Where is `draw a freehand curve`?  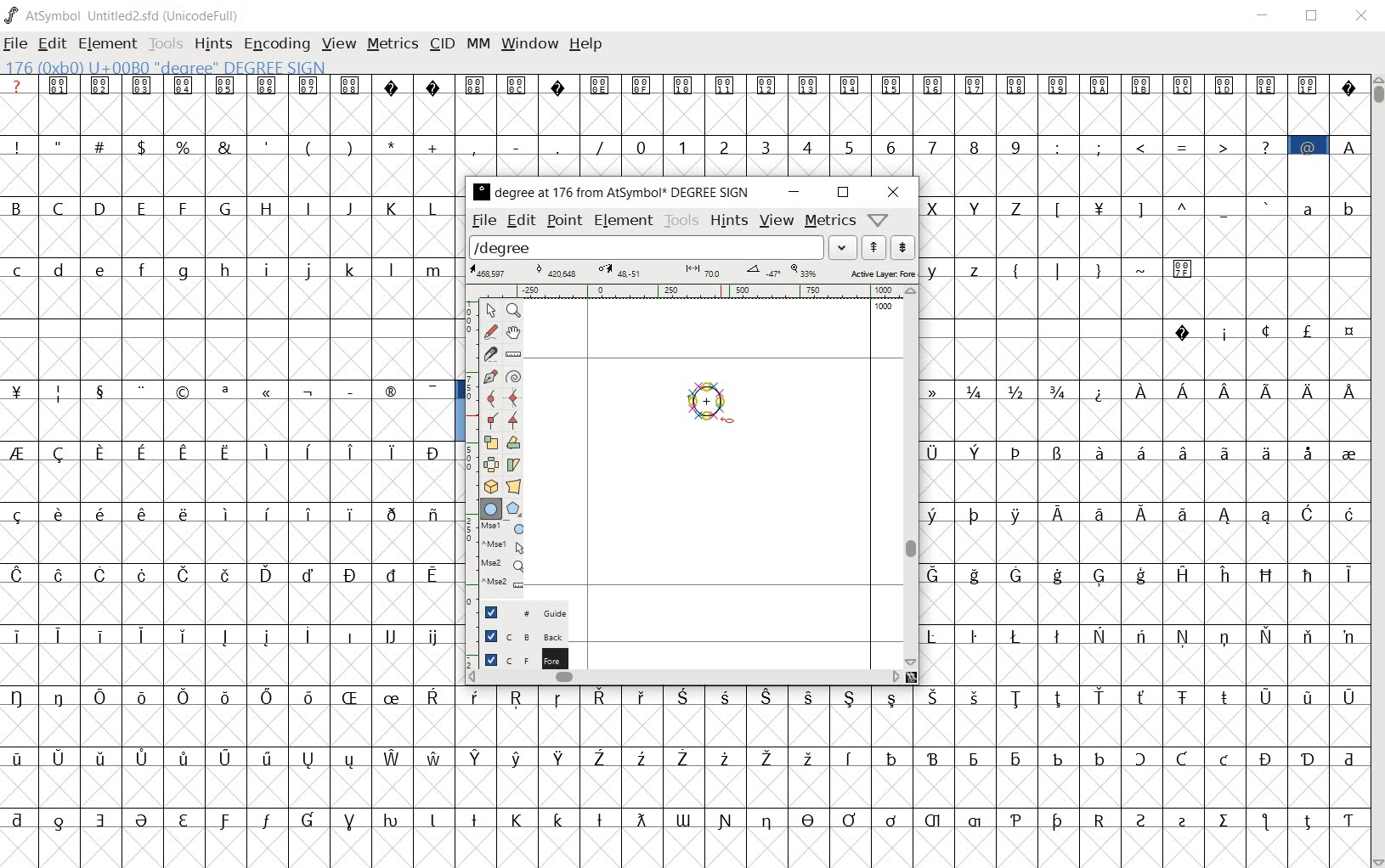
draw a freehand curve is located at coordinates (490, 331).